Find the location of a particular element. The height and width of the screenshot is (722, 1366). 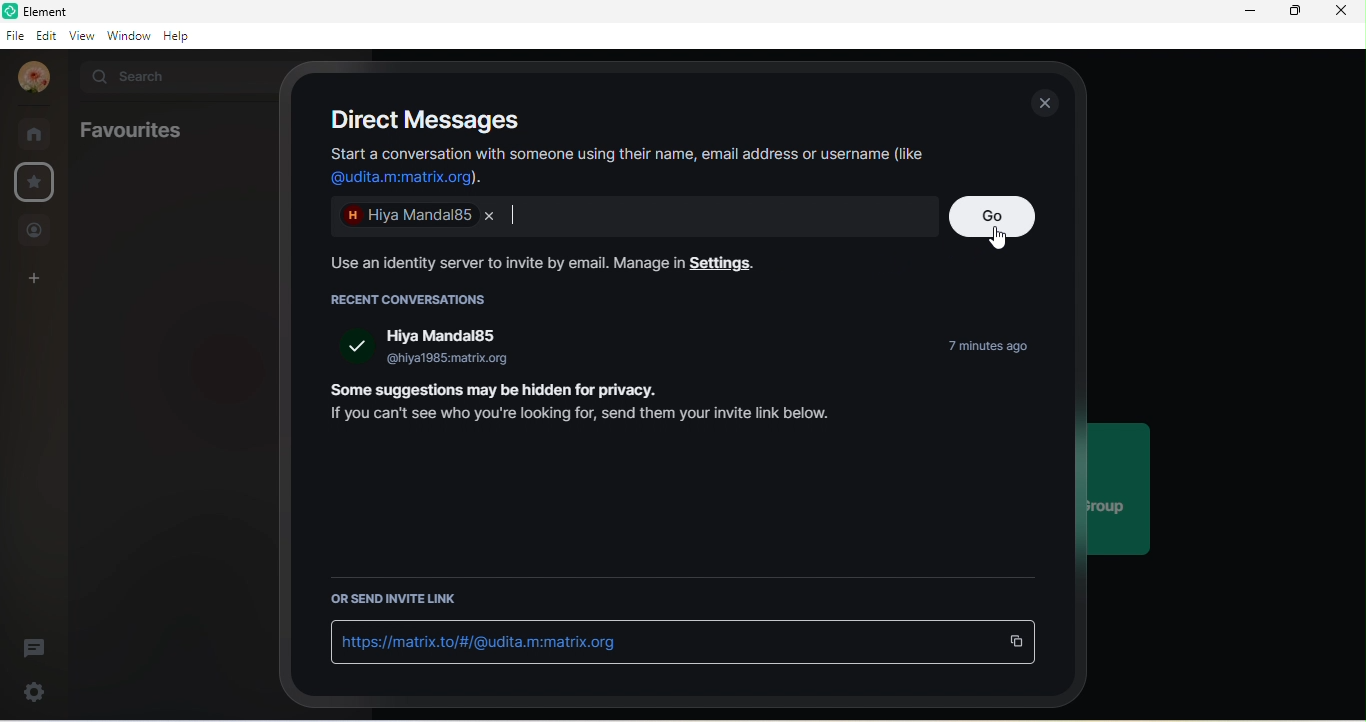

settings is located at coordinates (35, 694).